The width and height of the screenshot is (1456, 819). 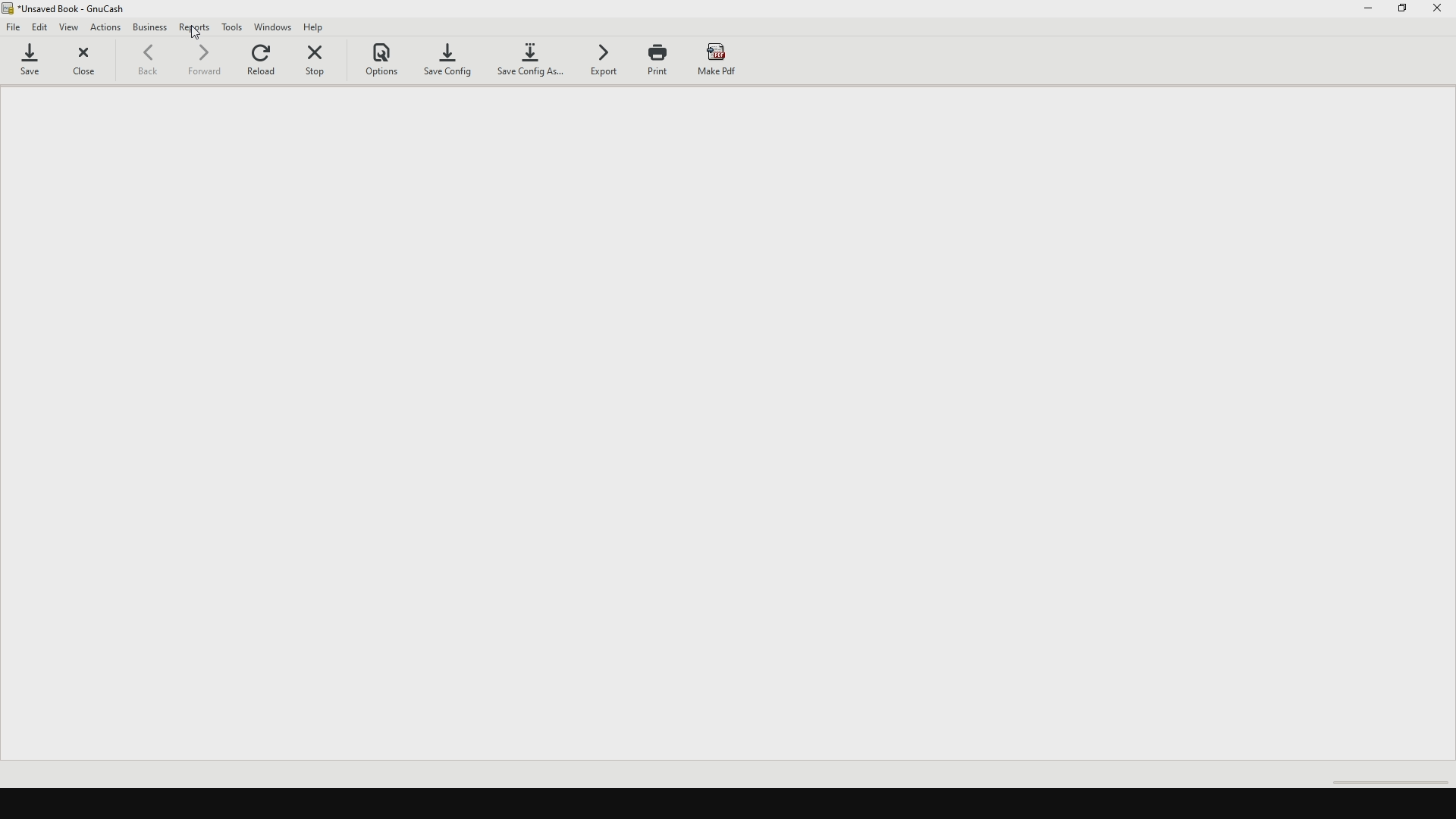 What do you see at coordinates (36, 63) in the screenshot?
I see `save` at bounding box center [36, 63].